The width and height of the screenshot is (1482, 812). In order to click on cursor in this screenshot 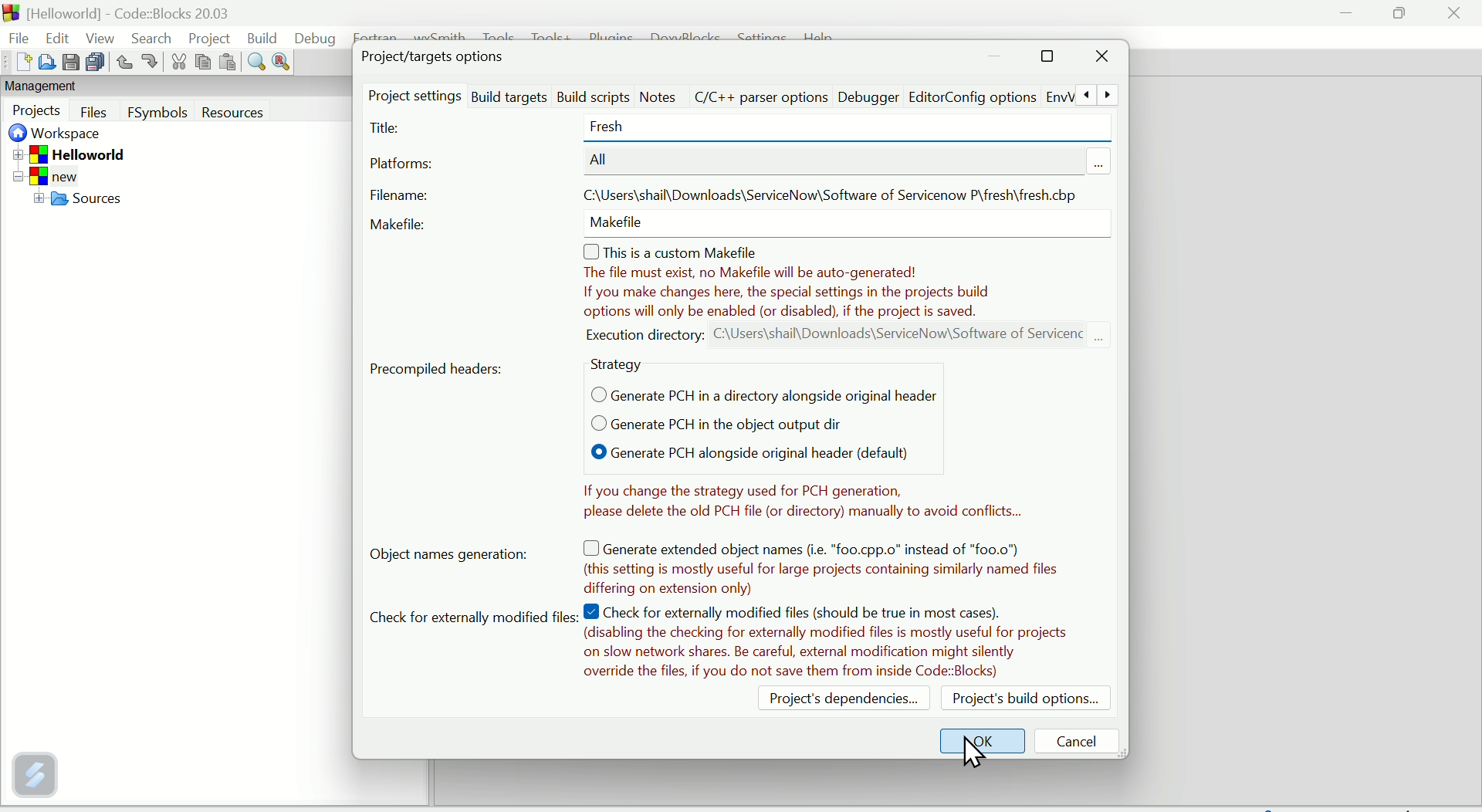, I will do `click(972, 750)`.